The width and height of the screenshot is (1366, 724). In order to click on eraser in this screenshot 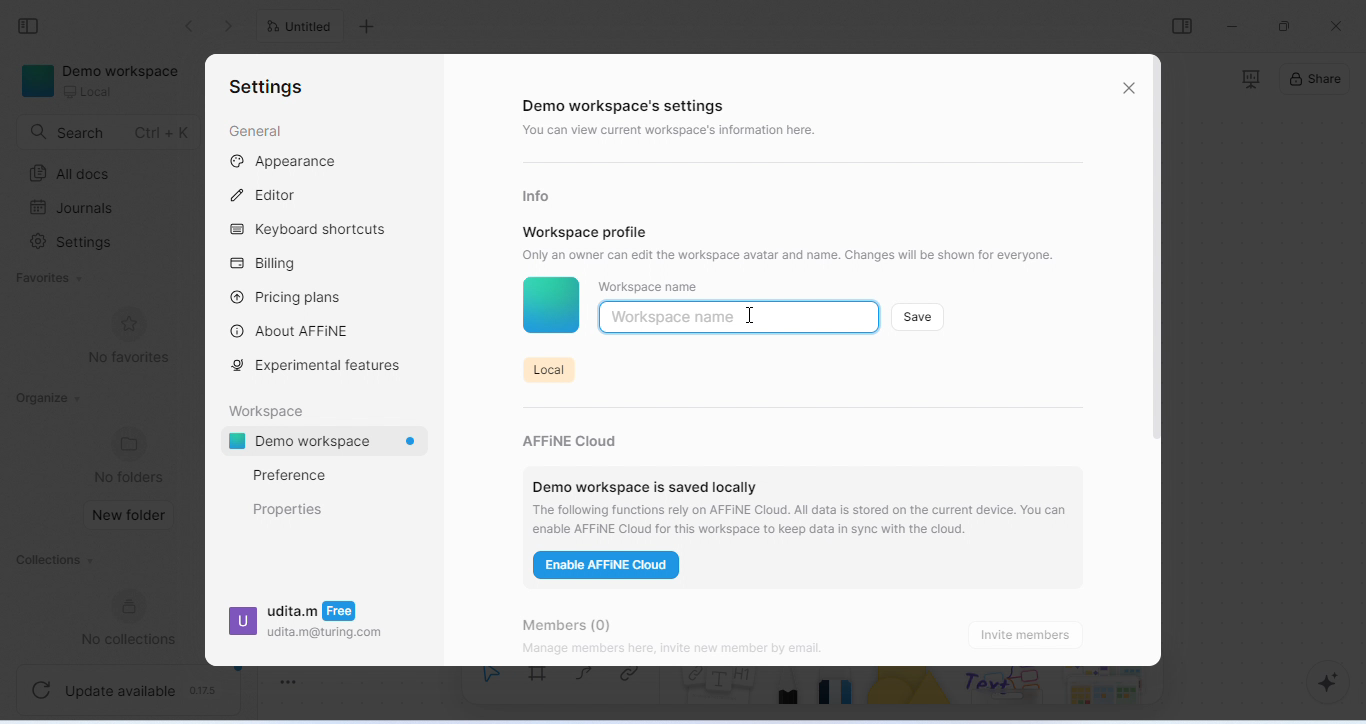, I will do `click(839, 693)`.